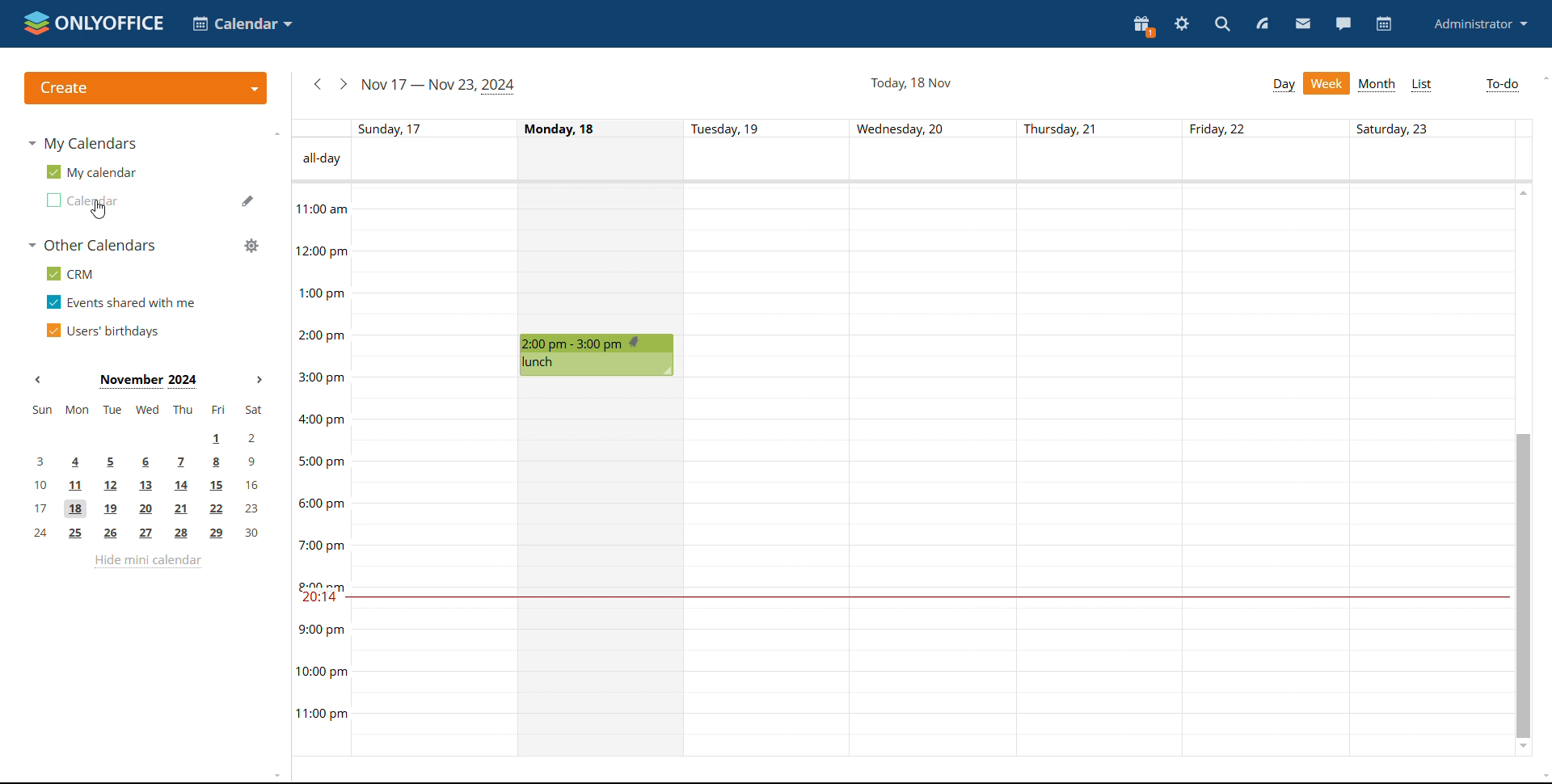  What do you see at coordinates (1302, 25) in the screenshot?
I see `mail` at bounding box center [1302, 25].